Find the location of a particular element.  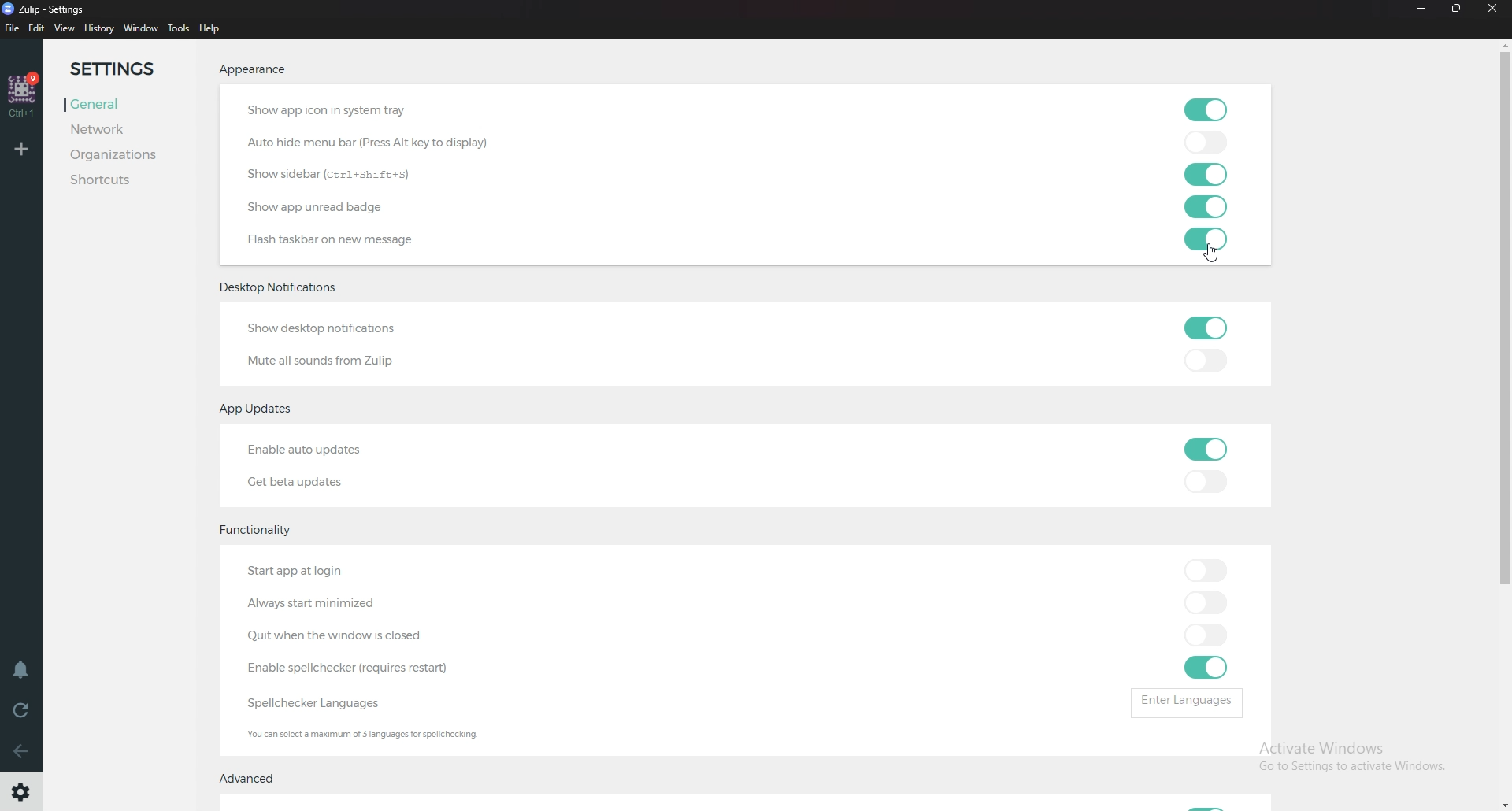

Show app unread badge is located at coordinates (323, 206).